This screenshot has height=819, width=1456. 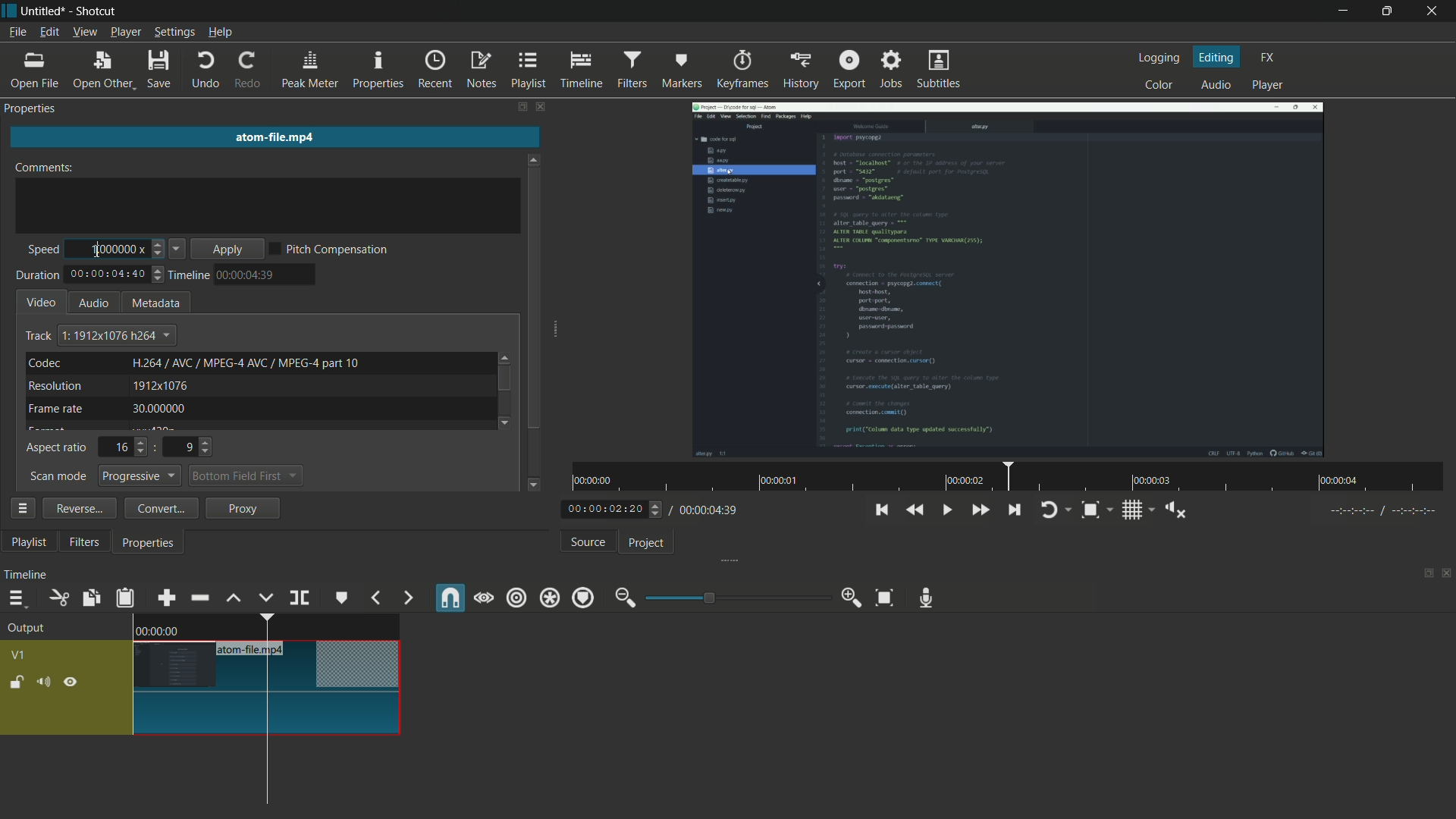 I want to click on frame rate, so click(x=55, y=409).